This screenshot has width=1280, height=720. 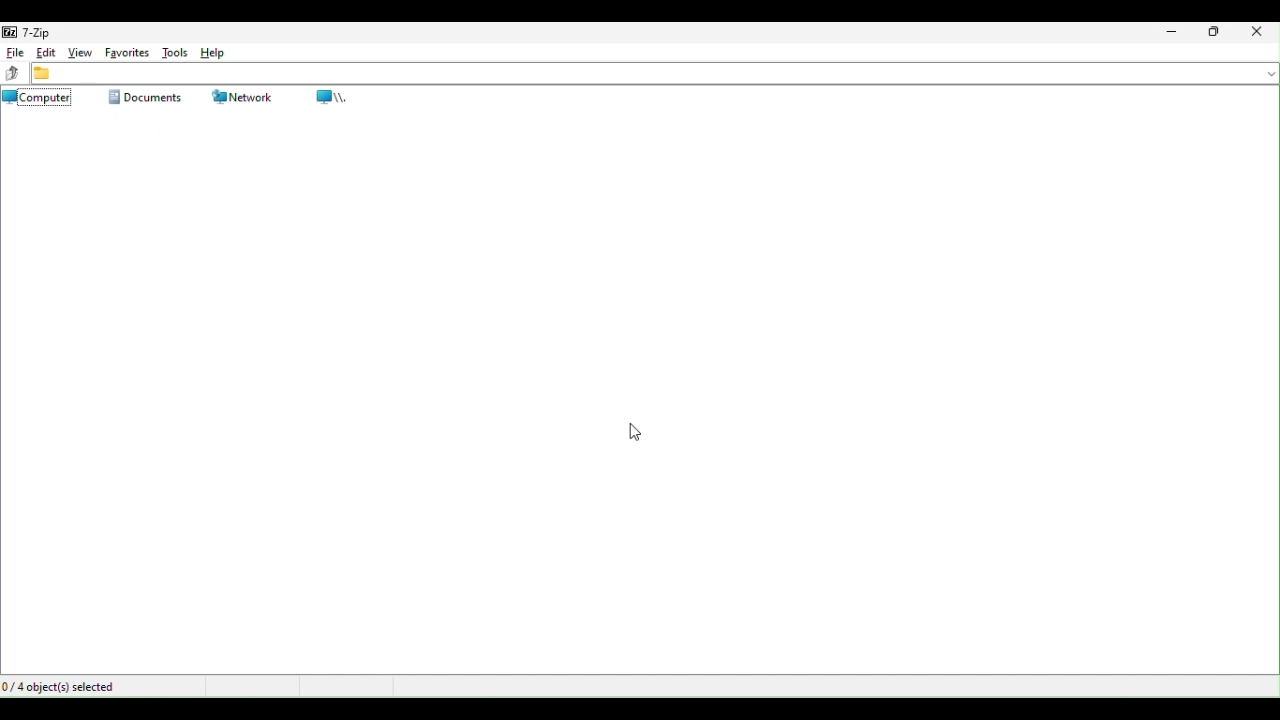 I want to click on Mouse, so click(x=642, y=433).